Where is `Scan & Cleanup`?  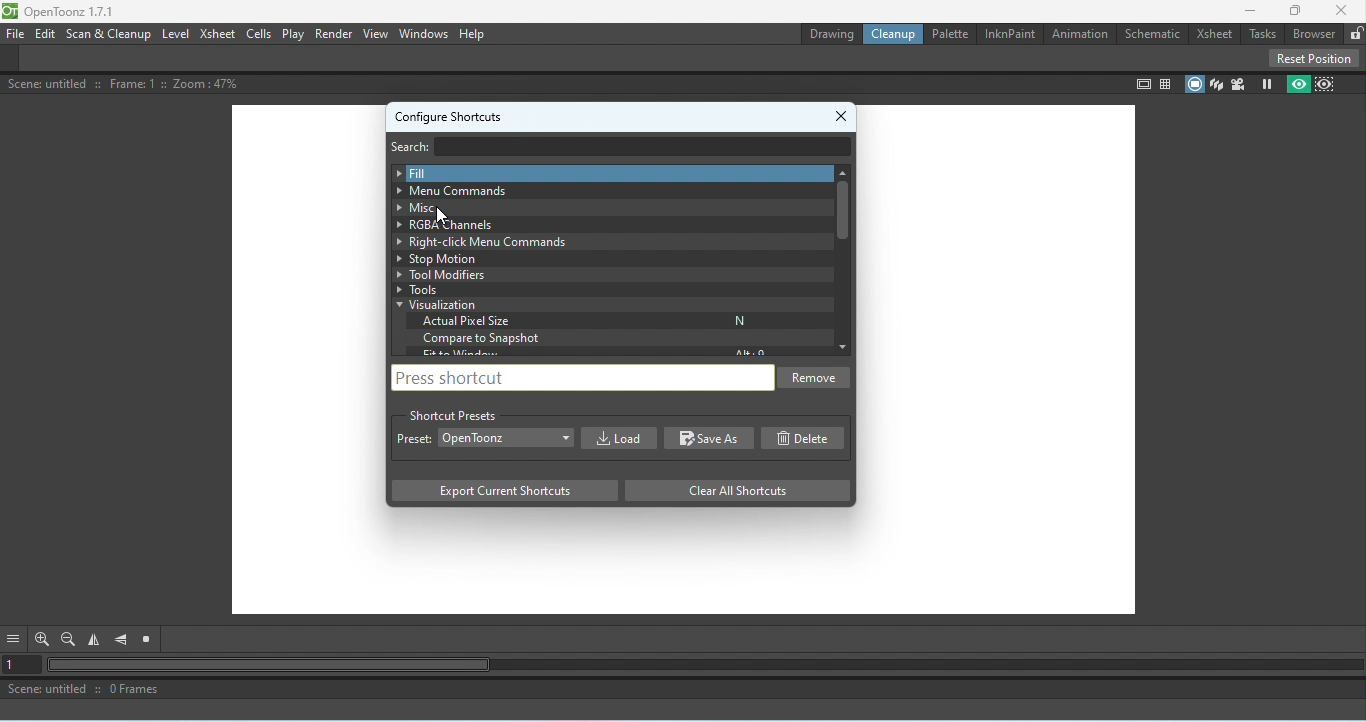
Scan & Cleanup is located at coordinates (109, 34).